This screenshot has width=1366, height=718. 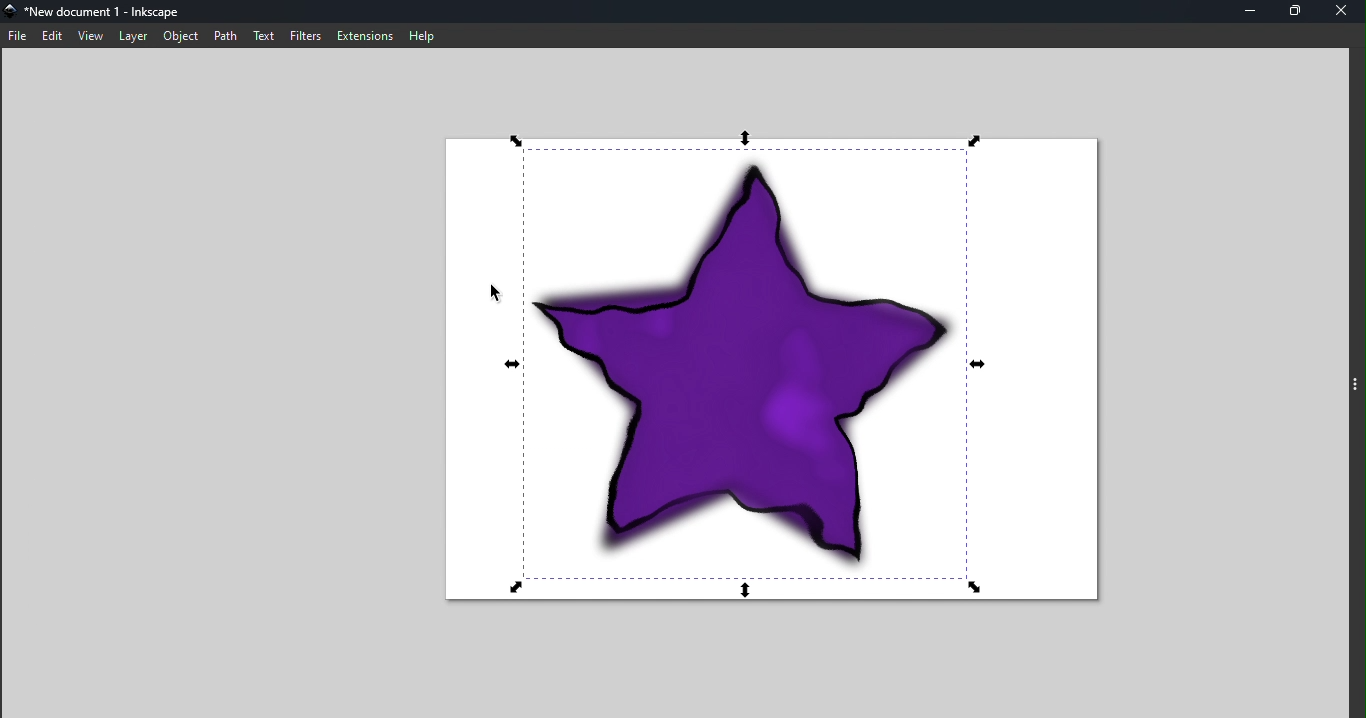 What do you see at coordinates (91, 37) in the screenshot?
I see `View` at bounding box center [91, 37].